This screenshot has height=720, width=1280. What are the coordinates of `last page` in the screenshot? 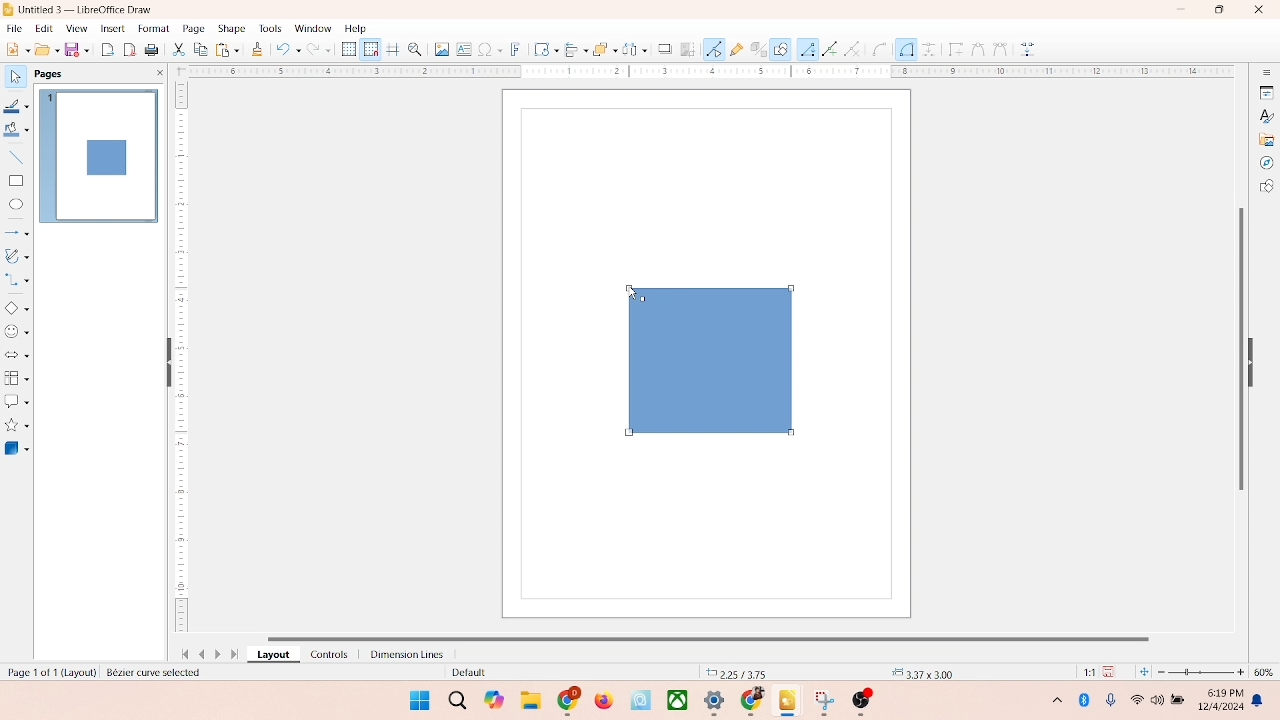 It's located at (236, 655).